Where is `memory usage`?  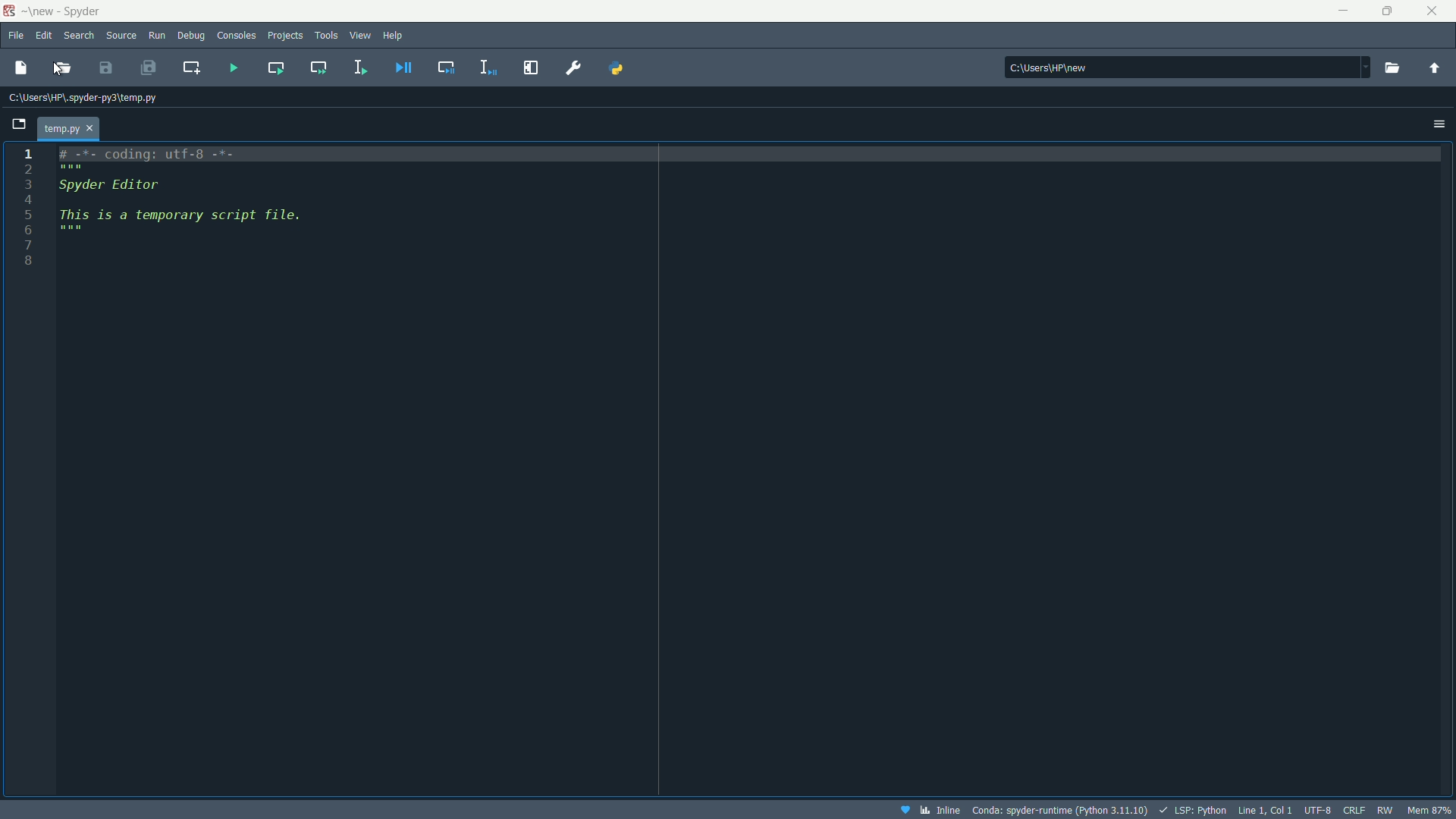
memory usage is located at coordinates (1429, 811).